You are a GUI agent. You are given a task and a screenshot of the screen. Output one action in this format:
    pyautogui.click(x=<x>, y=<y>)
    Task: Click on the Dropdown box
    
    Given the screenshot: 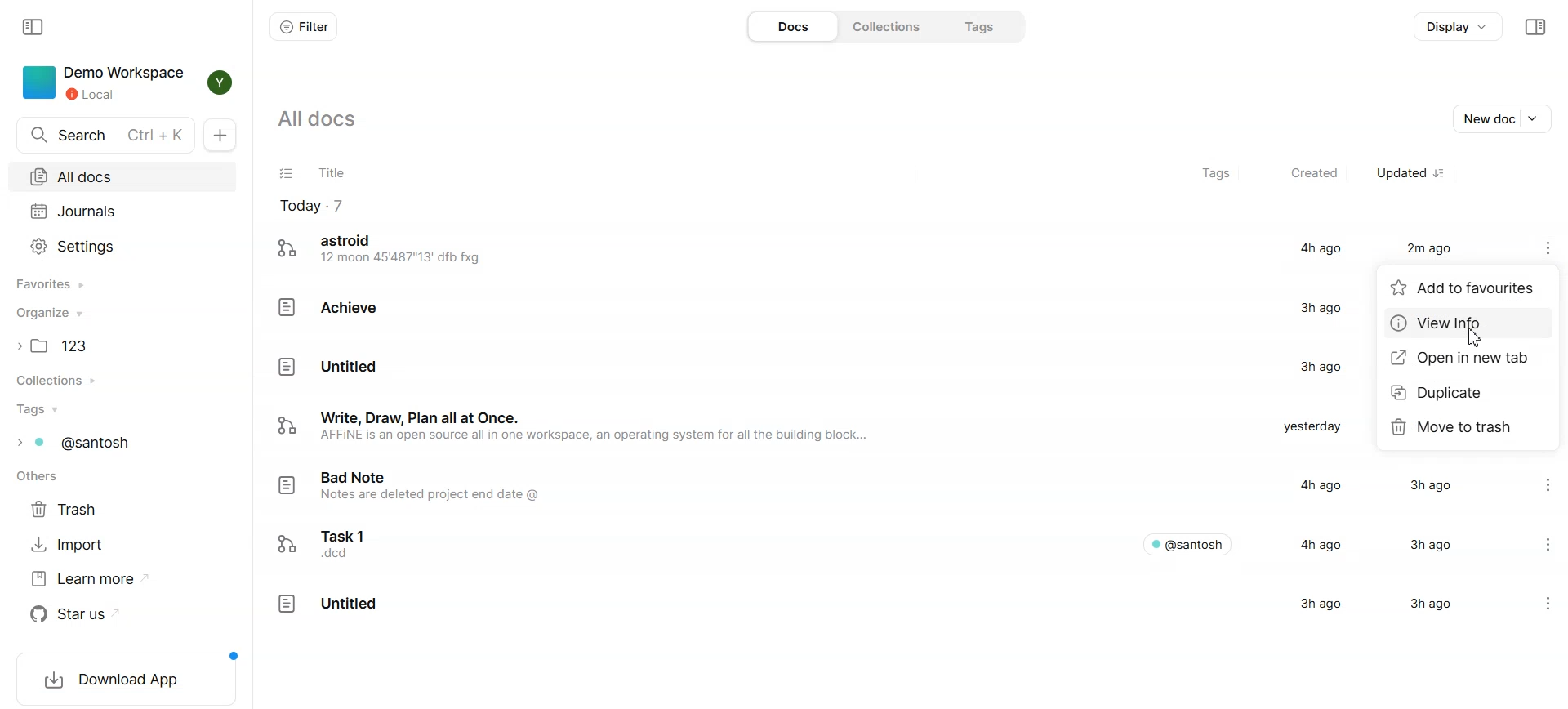 What is the action you would take?
    pyautogui.click(x=1536, y=118)
    